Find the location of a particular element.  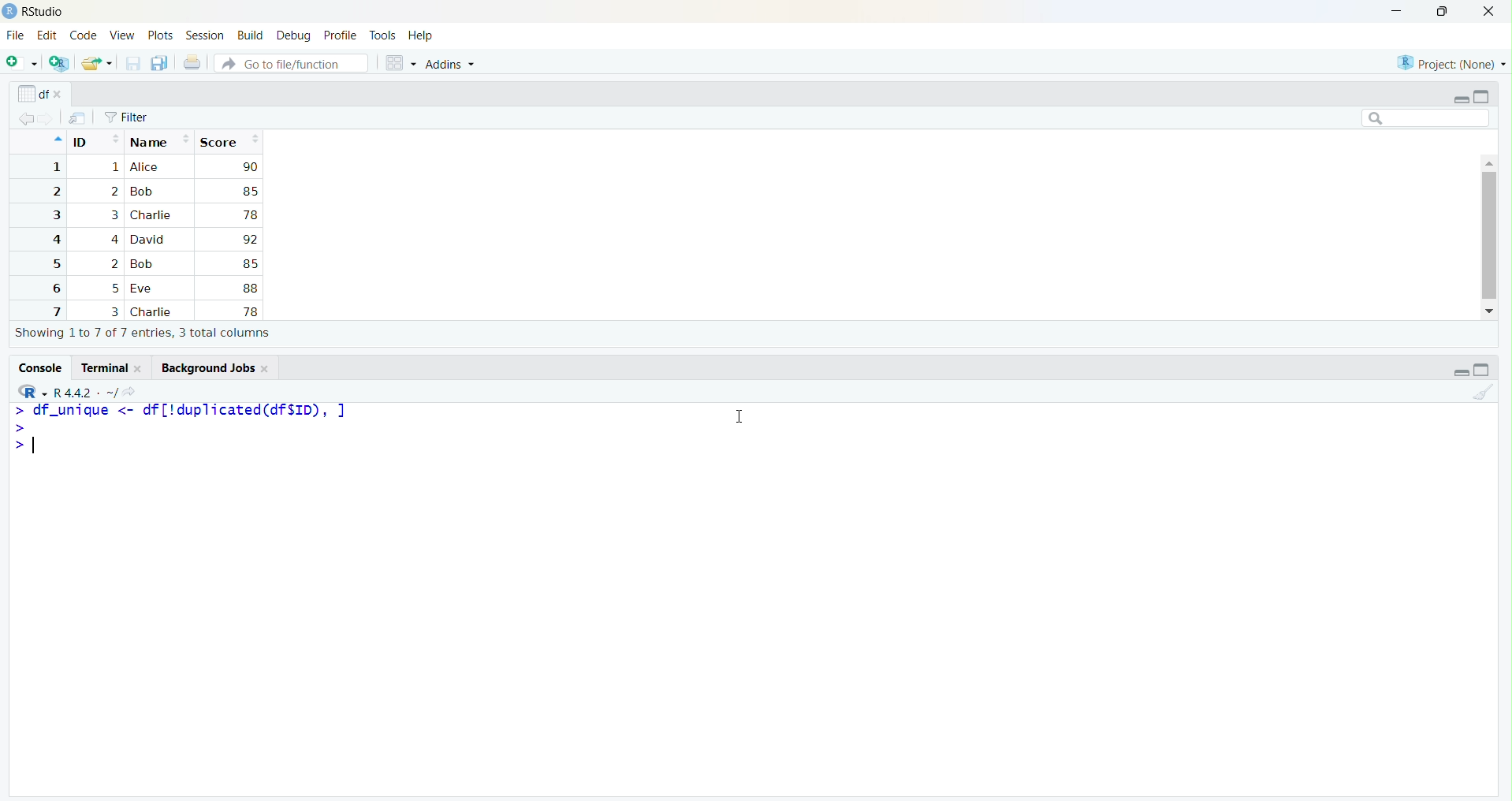

Bob is located at coordinates (142, 192).